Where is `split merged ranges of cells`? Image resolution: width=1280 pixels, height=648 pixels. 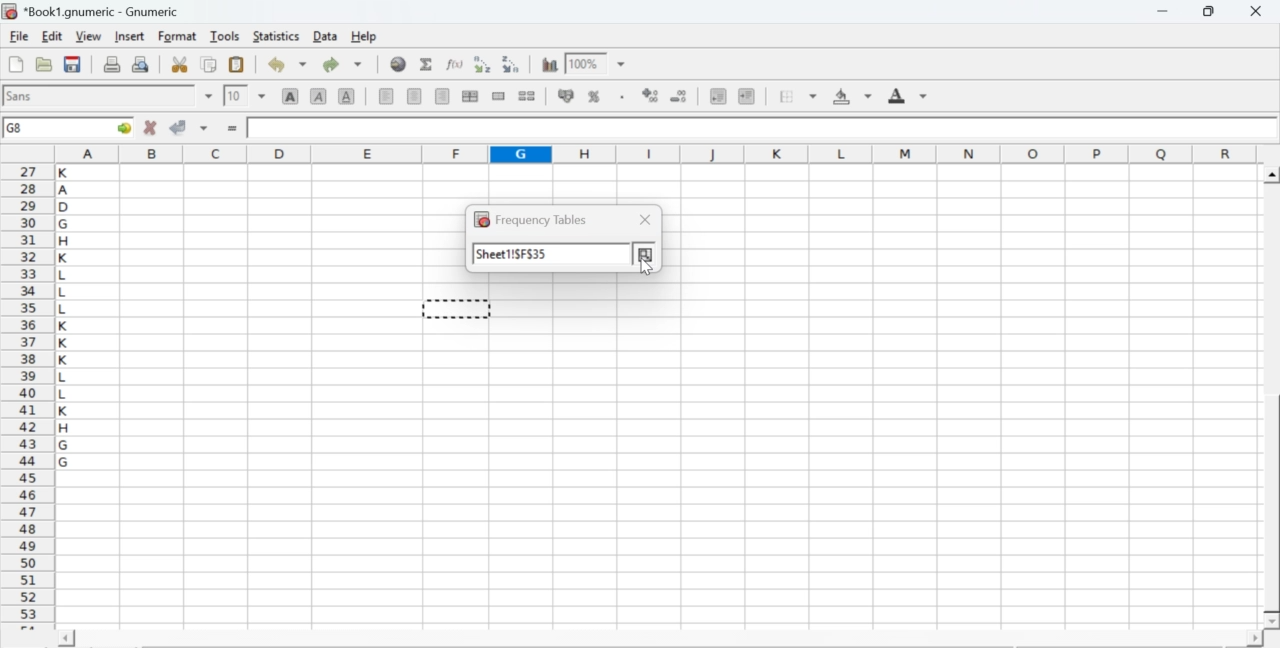
split merged ranges of cells is located at coordinates (526, 95).